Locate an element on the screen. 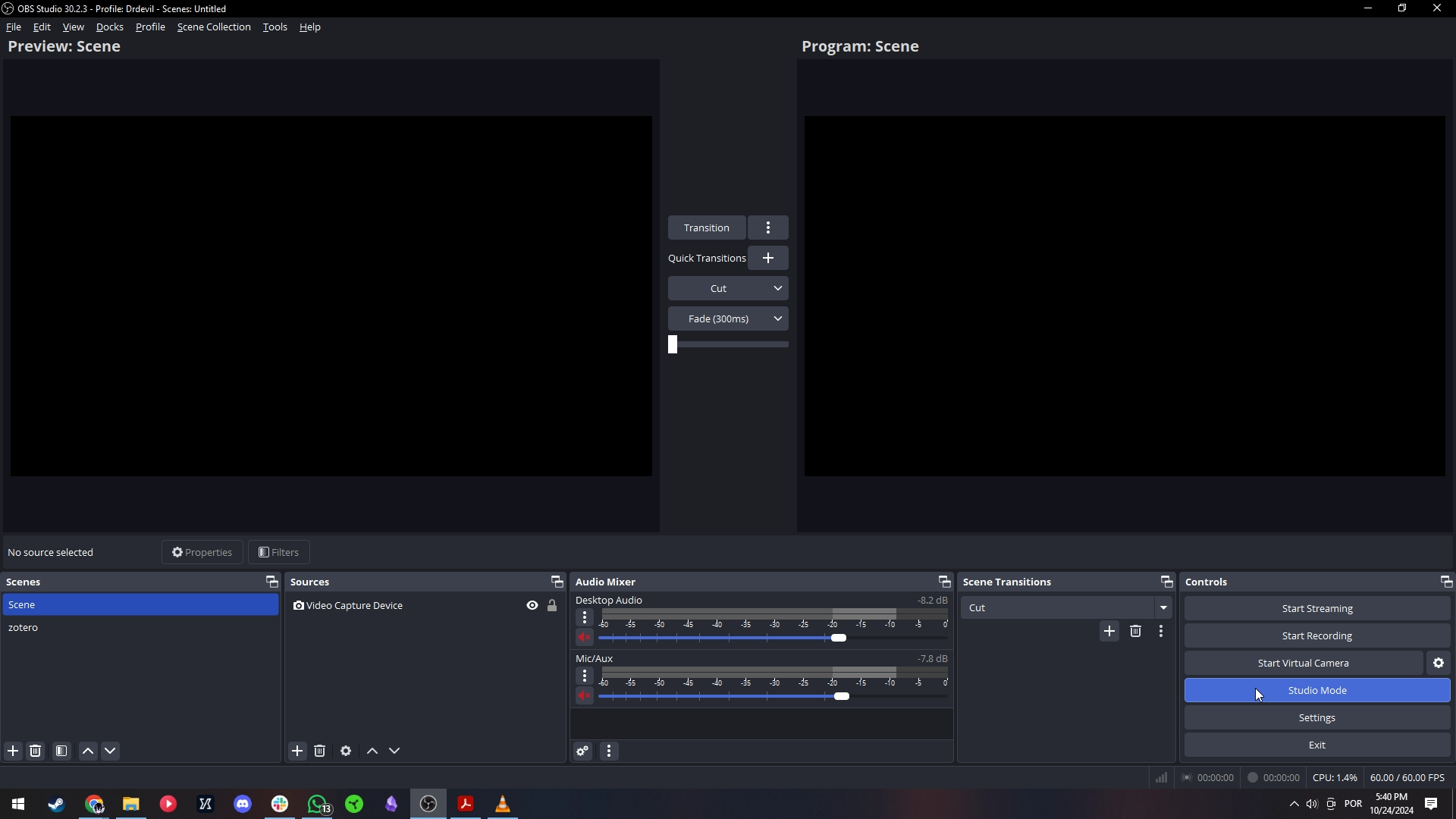 The image size is (1456, 819). FPS is located at coordinates (1408, 777).